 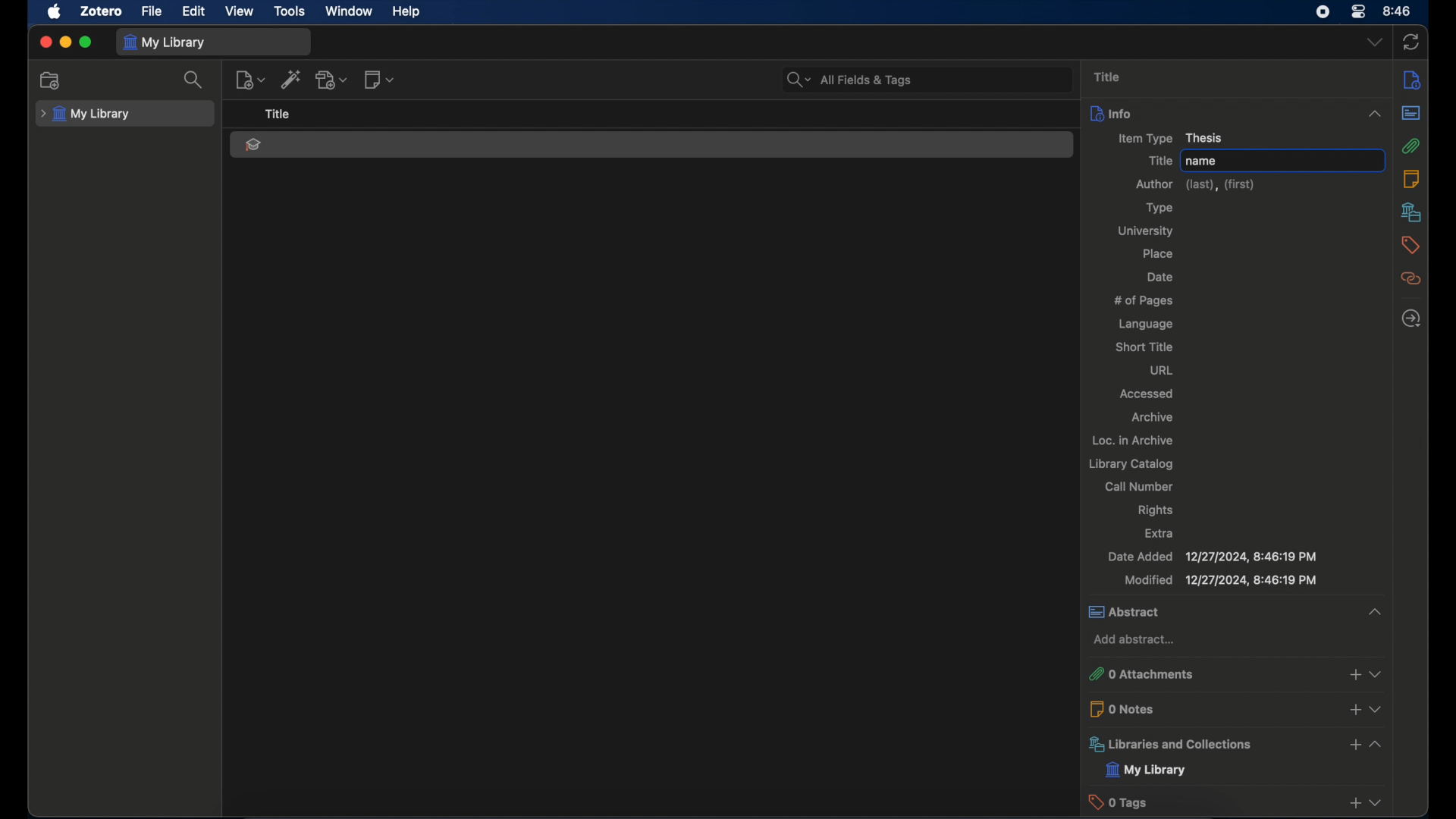 What do you see at coordinates (102, 11) in the screenshot?
I see `zotero` at bounding box center [102, 11].